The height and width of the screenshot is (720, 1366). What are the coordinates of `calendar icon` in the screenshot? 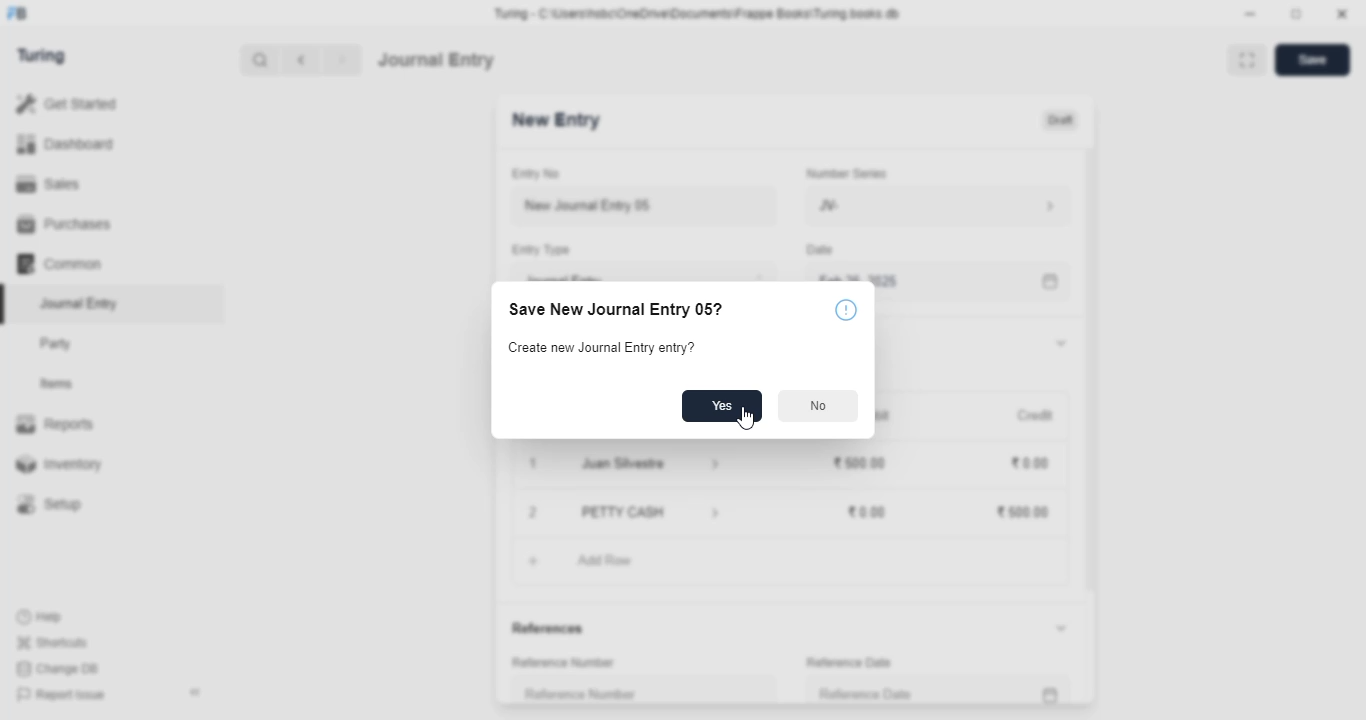 It's located at (1049, 691).